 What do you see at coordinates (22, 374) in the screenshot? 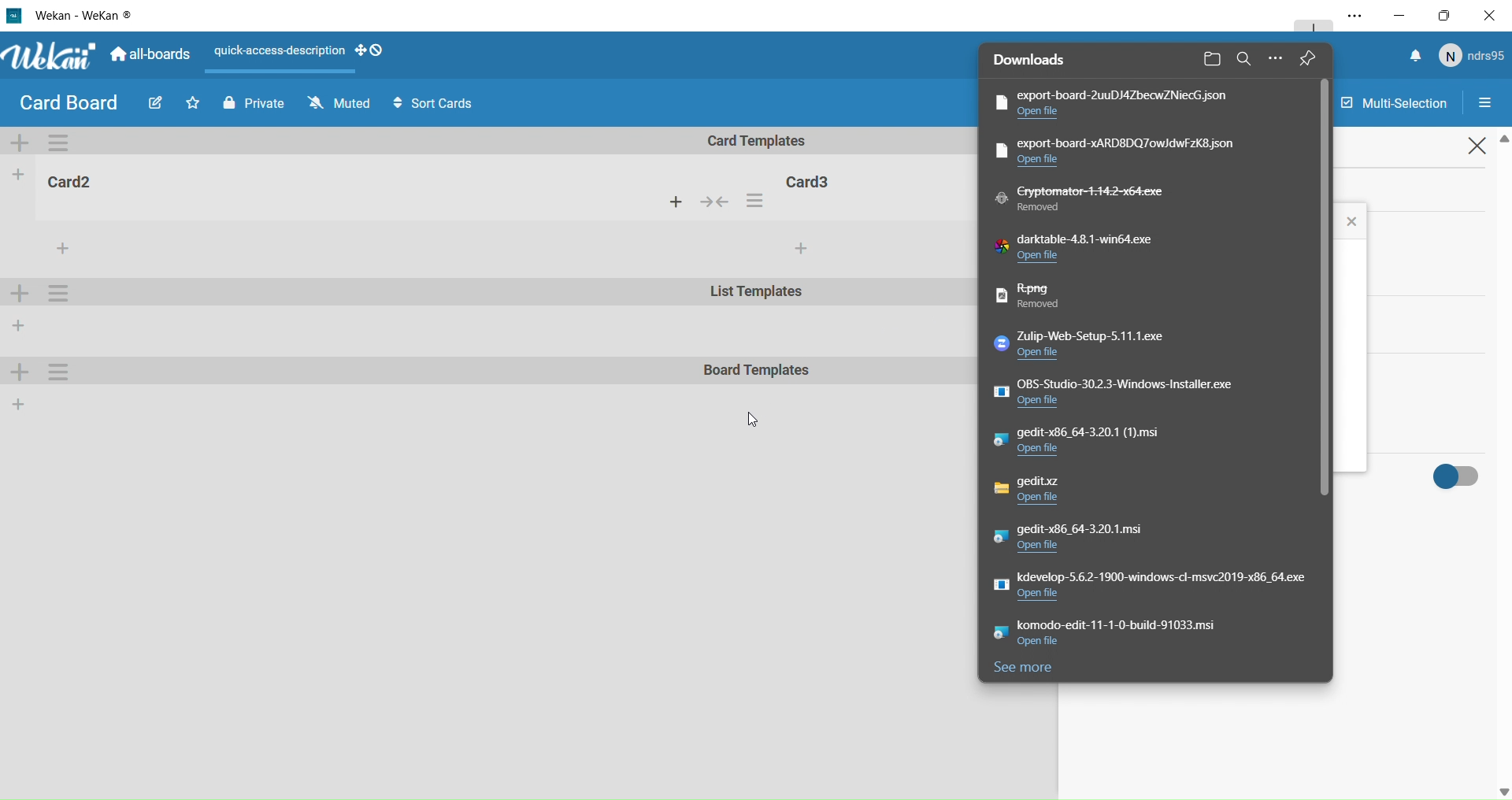
I see `Add` at bounding box center [22, 374].